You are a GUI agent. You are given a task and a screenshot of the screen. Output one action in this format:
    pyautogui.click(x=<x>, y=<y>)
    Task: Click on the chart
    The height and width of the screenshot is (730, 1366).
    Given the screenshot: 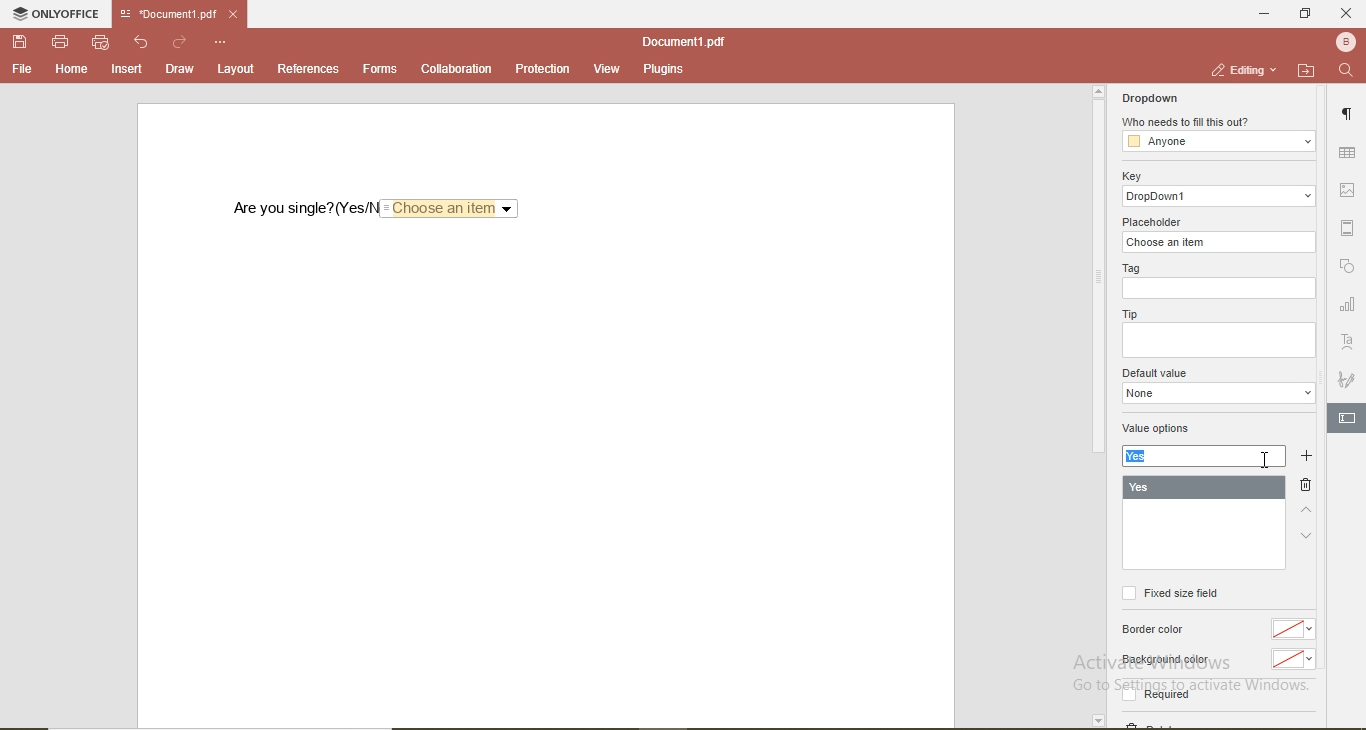 What is the action you would take?
    pyautogui.click(x=1348, y=304)
    